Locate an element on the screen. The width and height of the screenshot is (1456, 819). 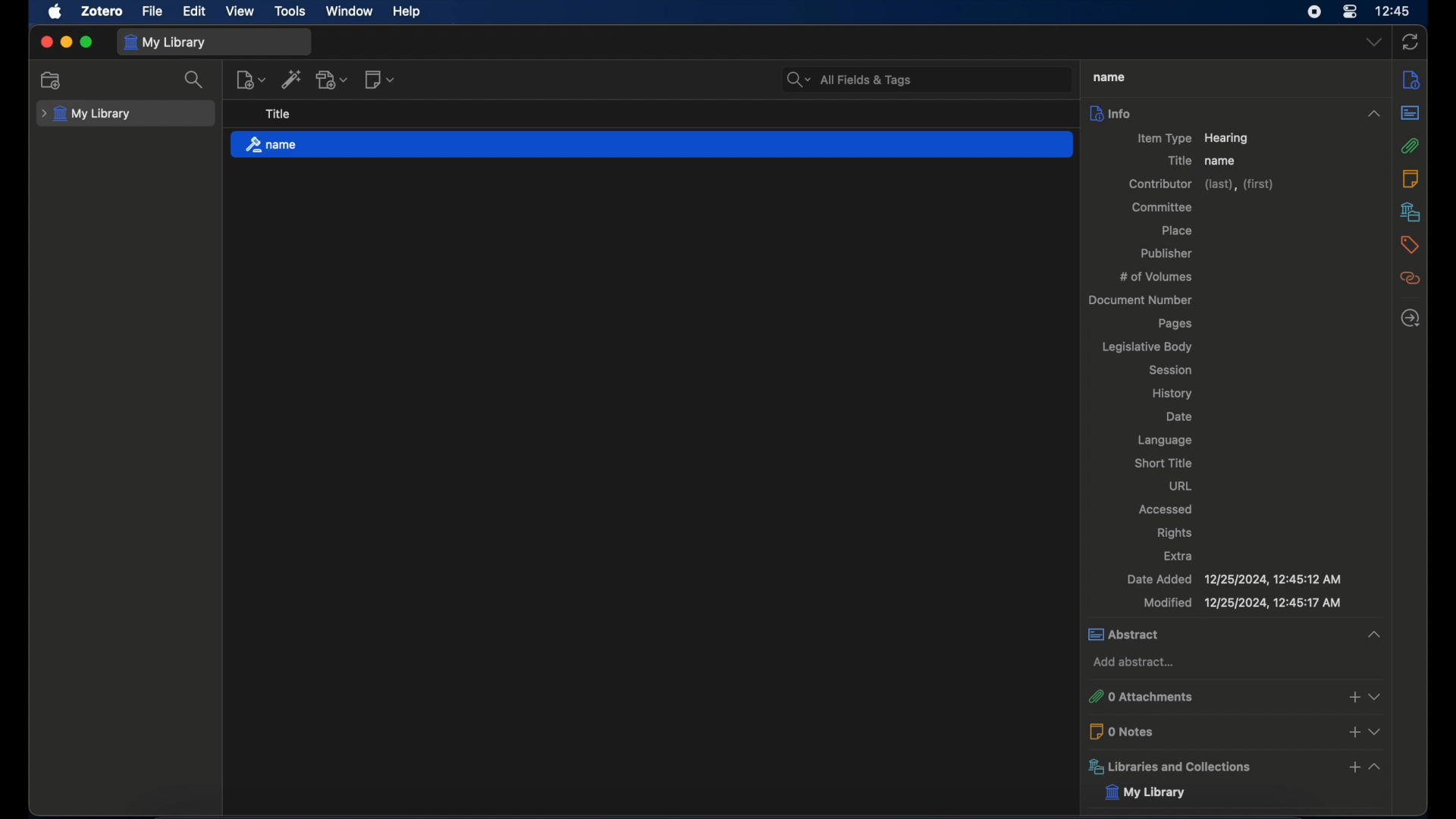
minimize is located at coordinates (67, 42).